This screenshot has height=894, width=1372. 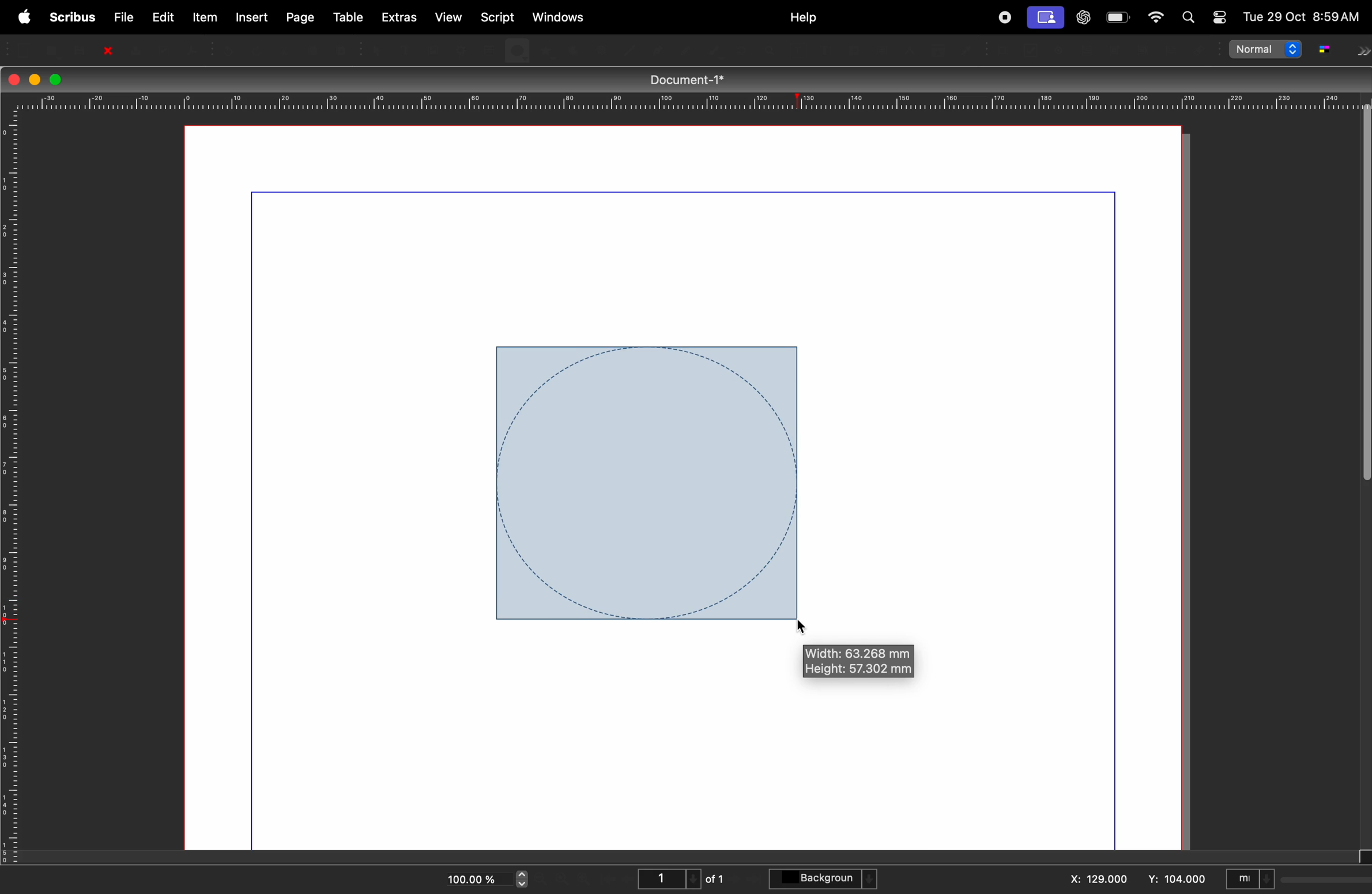 I want to click on windows, so click(x=560, y=16).